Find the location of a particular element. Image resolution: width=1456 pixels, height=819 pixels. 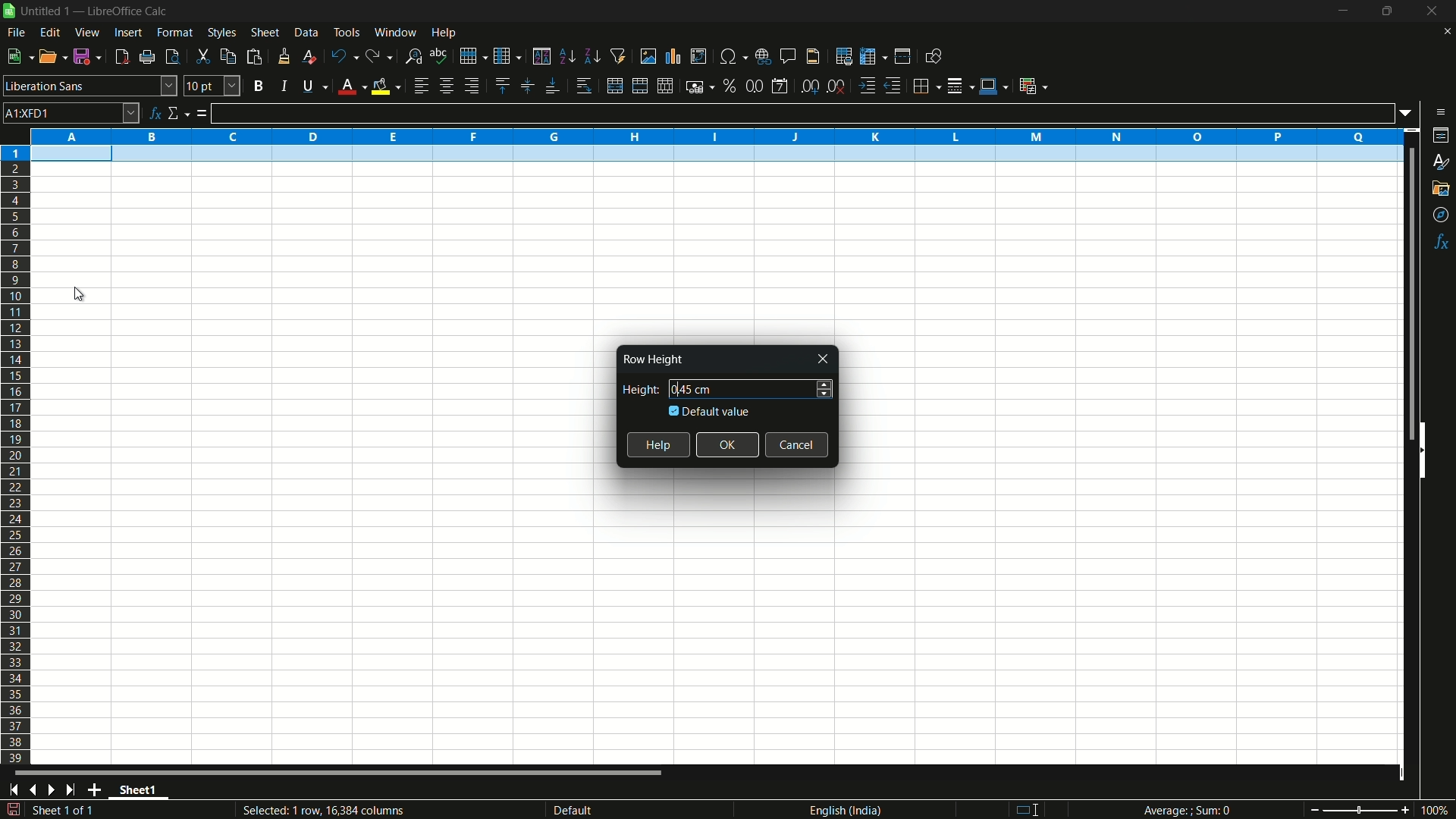

delete decimal place is located at coordinates (837, 86).